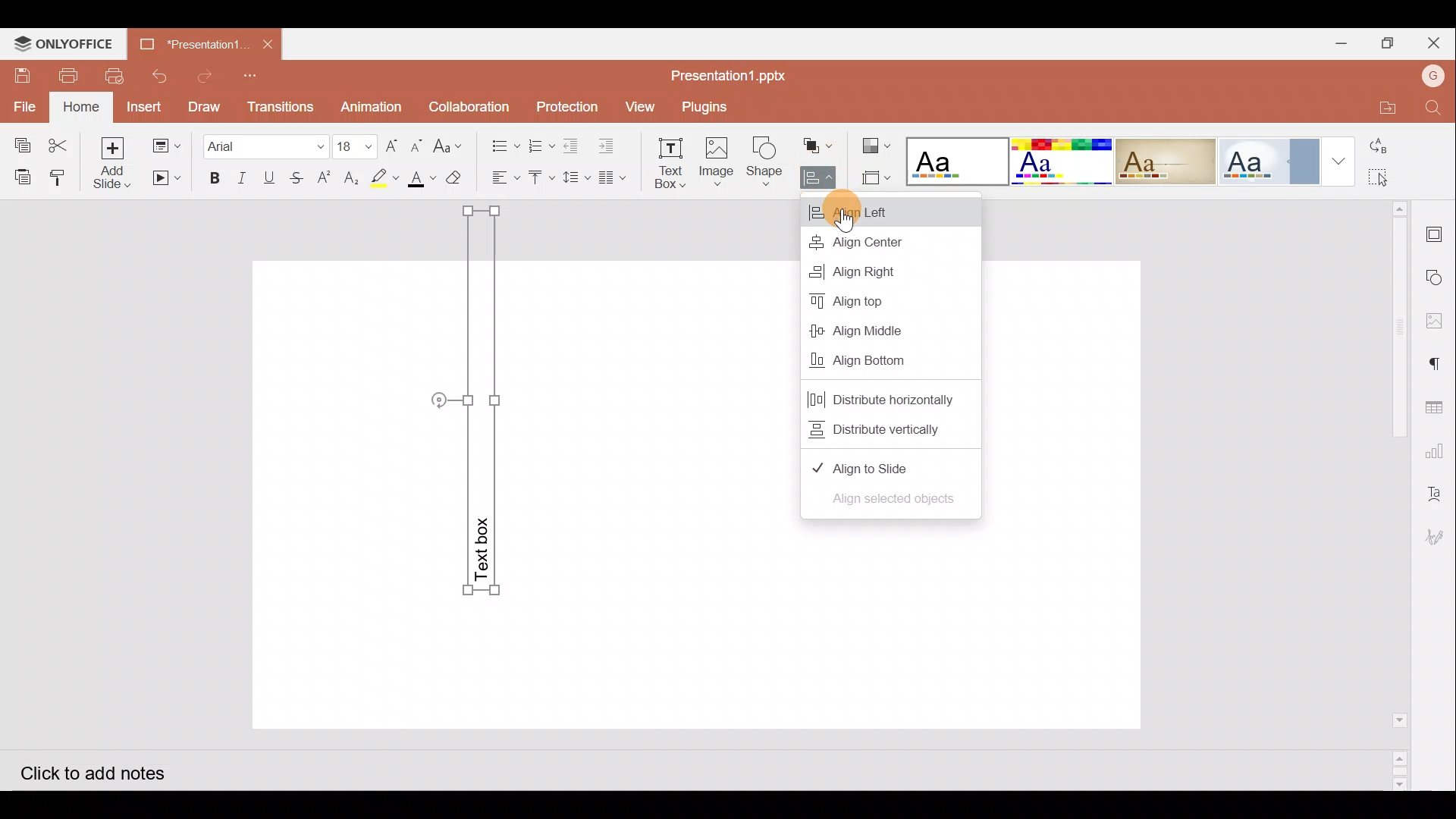 This screenshot has width=1456, height=819. I want to click on Increase indent, so click(609, 143).